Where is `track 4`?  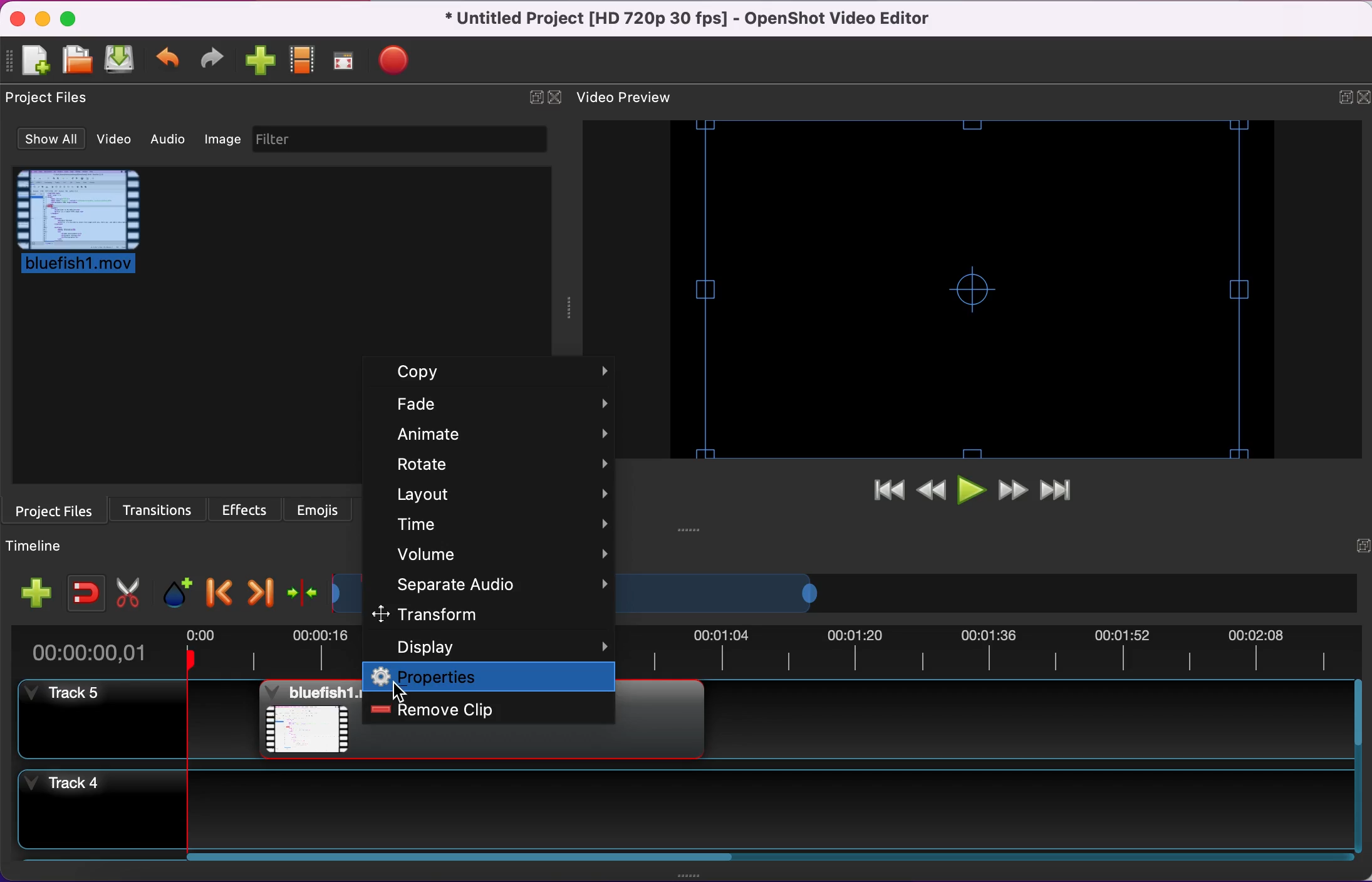
track 4 is located at coordinates (685, 809).